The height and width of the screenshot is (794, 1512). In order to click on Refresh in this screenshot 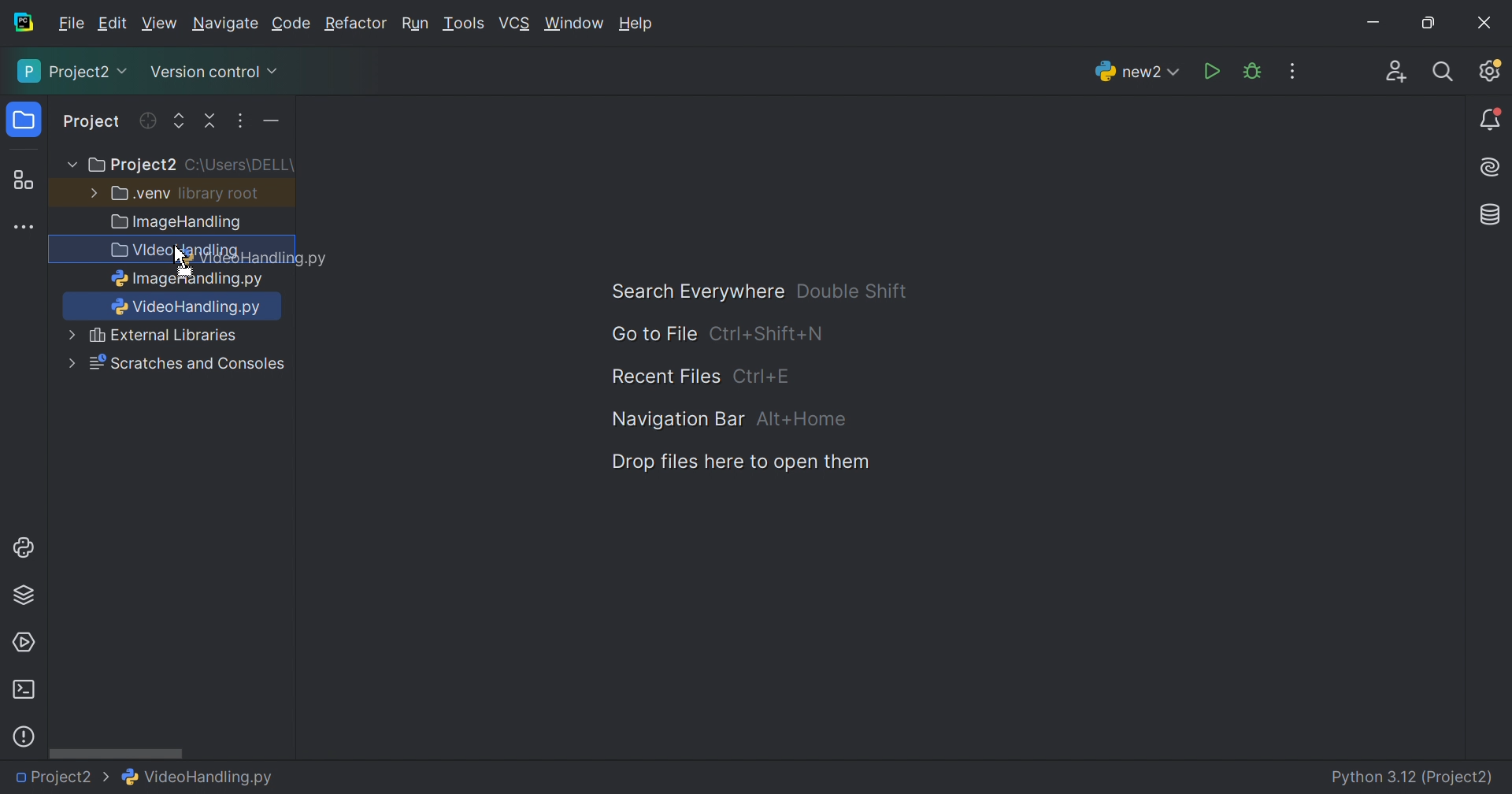, I will do `click(146, 121)`.